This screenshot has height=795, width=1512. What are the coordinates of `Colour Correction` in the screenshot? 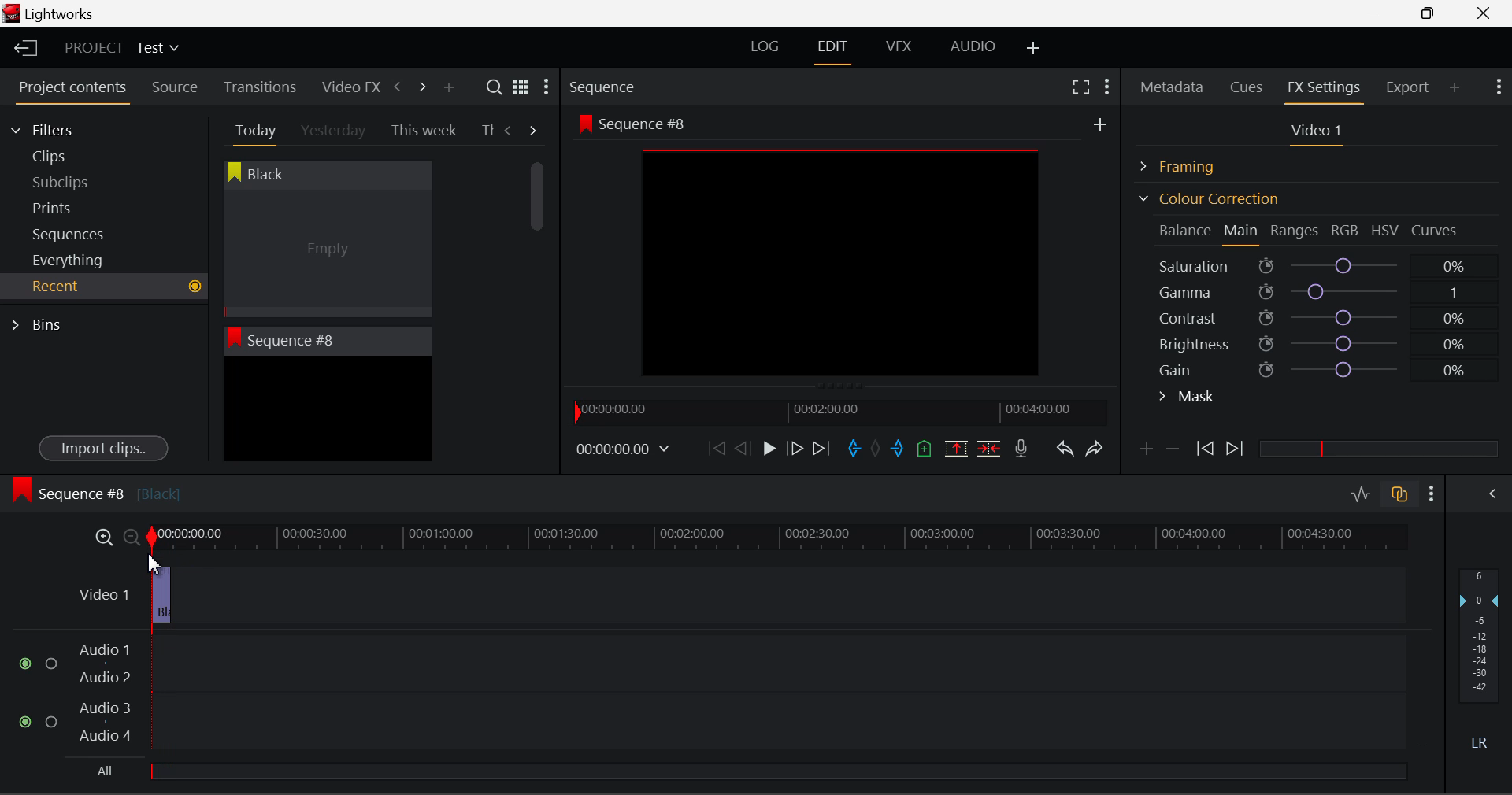 It's located at (1208, 198).